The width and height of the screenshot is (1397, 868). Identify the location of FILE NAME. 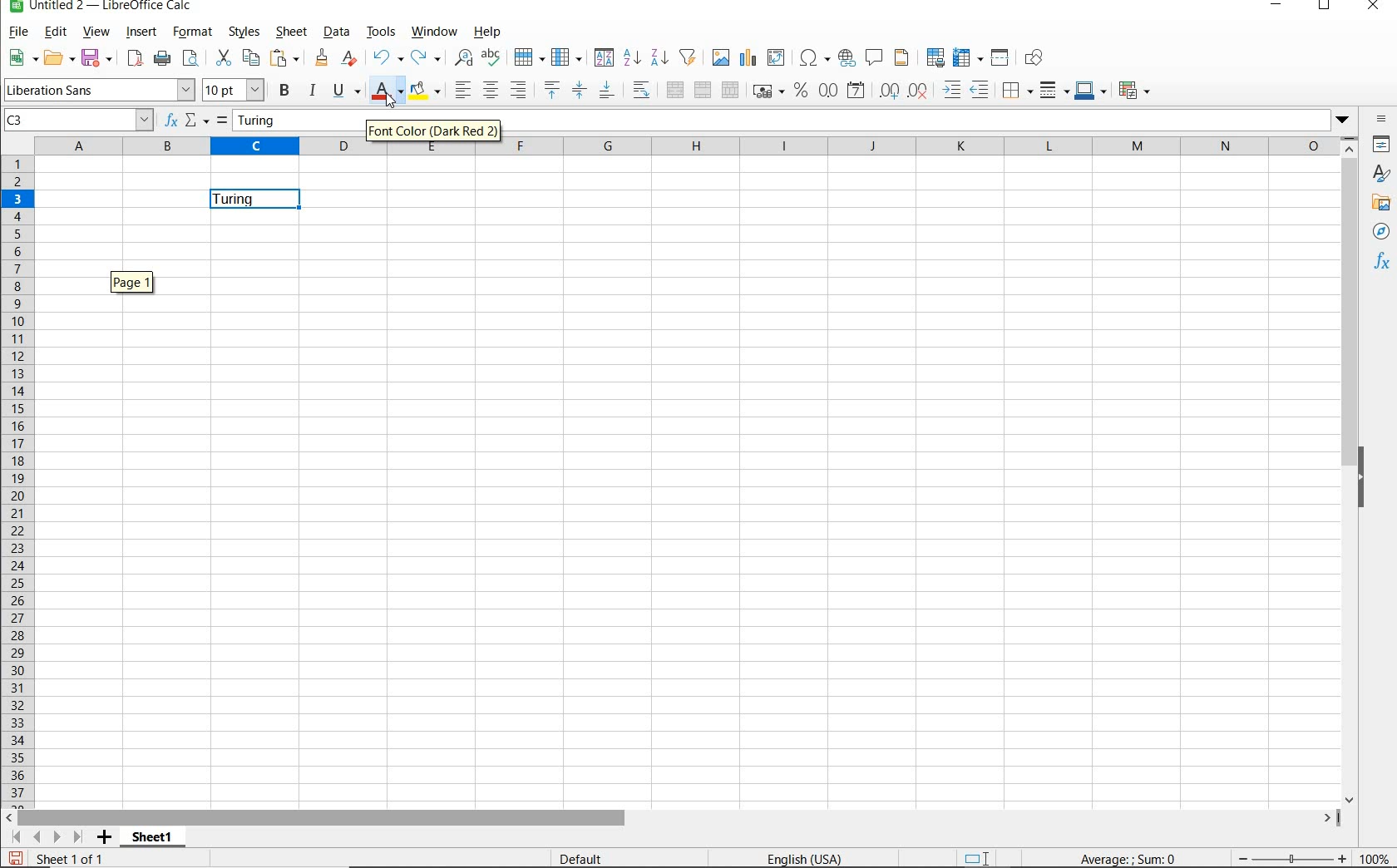
(99, 7).